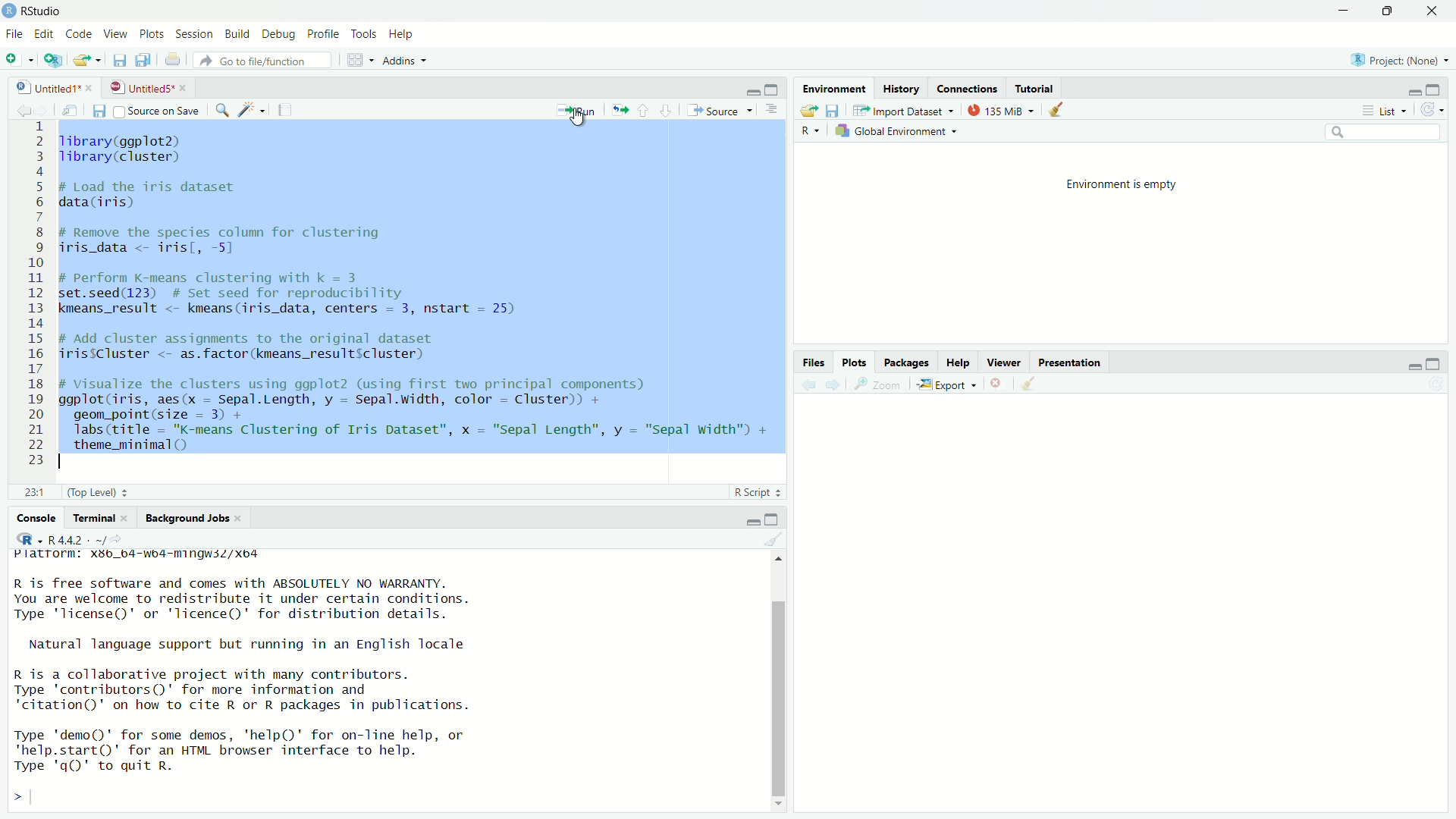 The width and height of the screenshot is (1456, 819). Describe the element at coordinates (908, 361) in the screenshot. I see `packages` at that location.